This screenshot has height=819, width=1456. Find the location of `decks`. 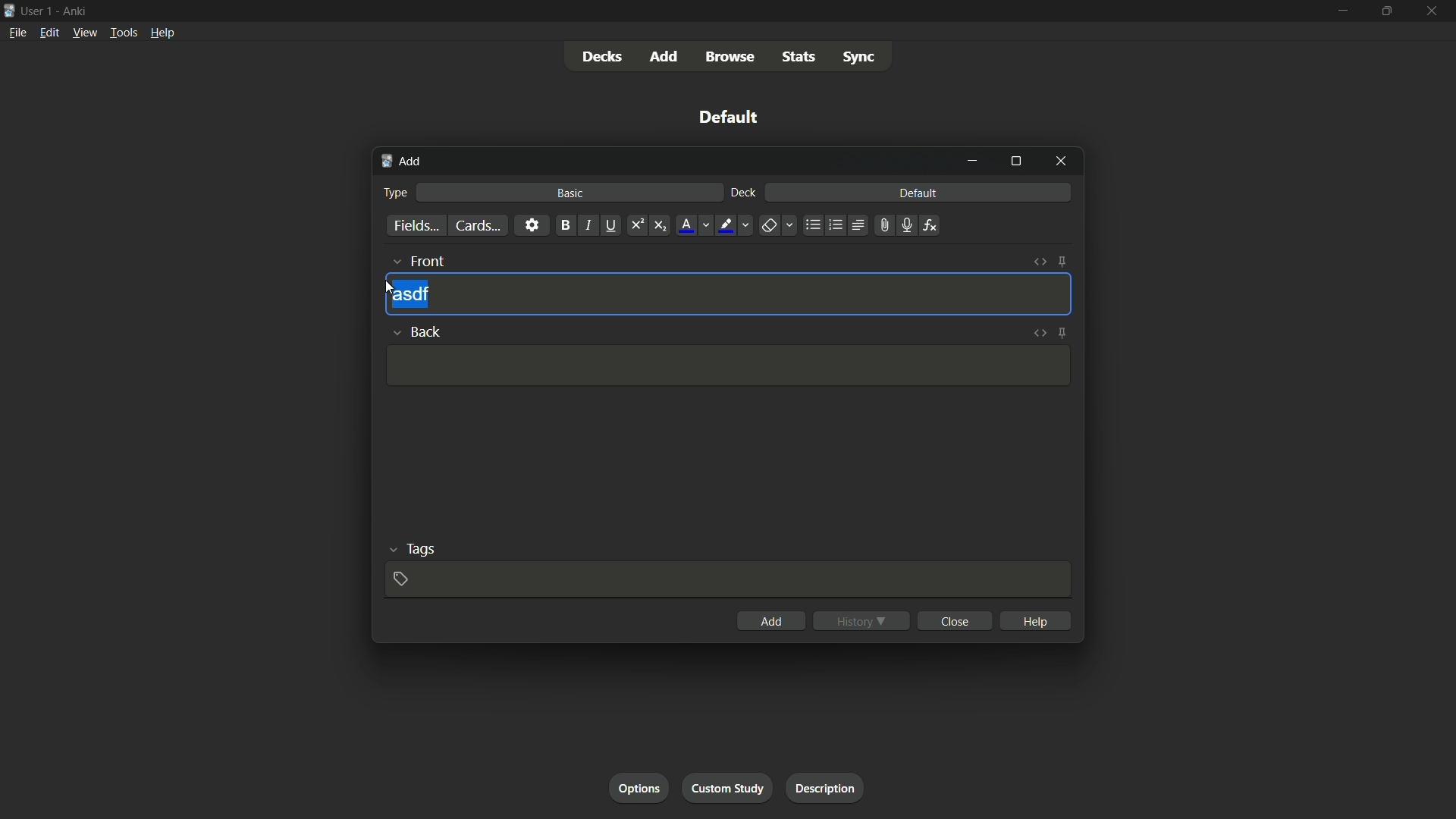

decks is located at coordinates (604, 55).